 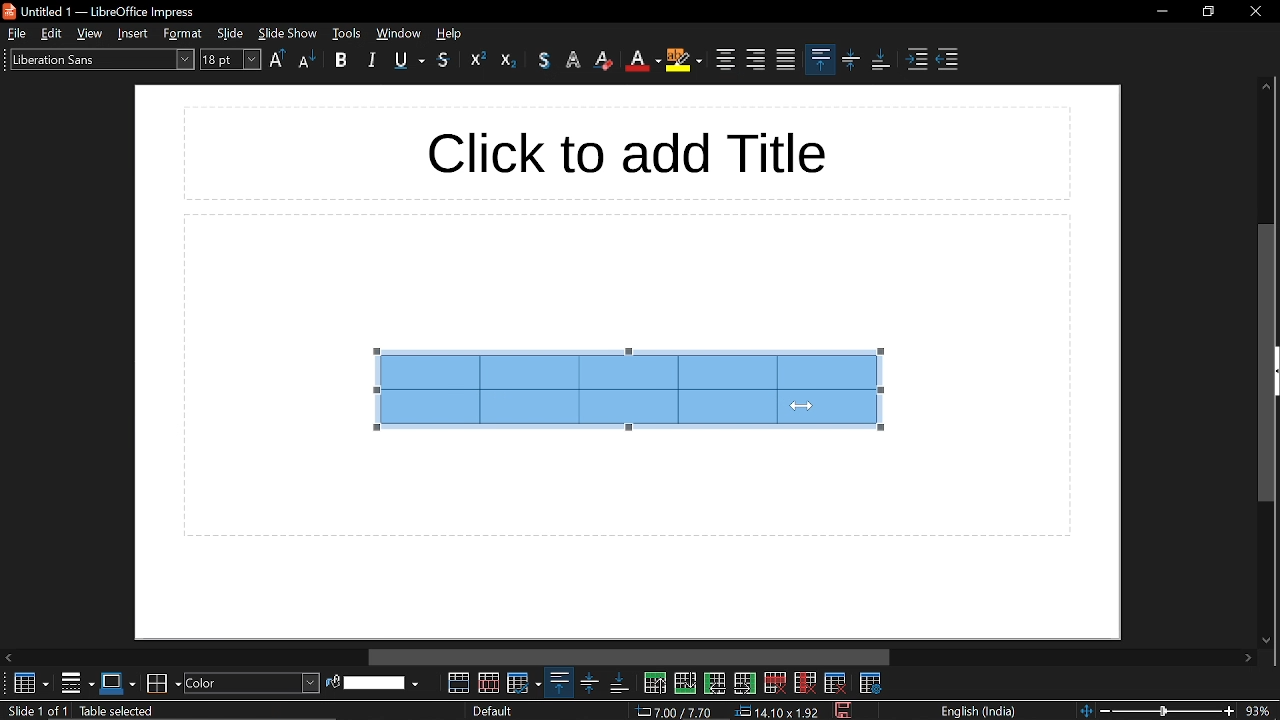 What do you see at coordinates (774, 682) in the screenshot?
I see `delete row ` at bounding box center [774, 682].